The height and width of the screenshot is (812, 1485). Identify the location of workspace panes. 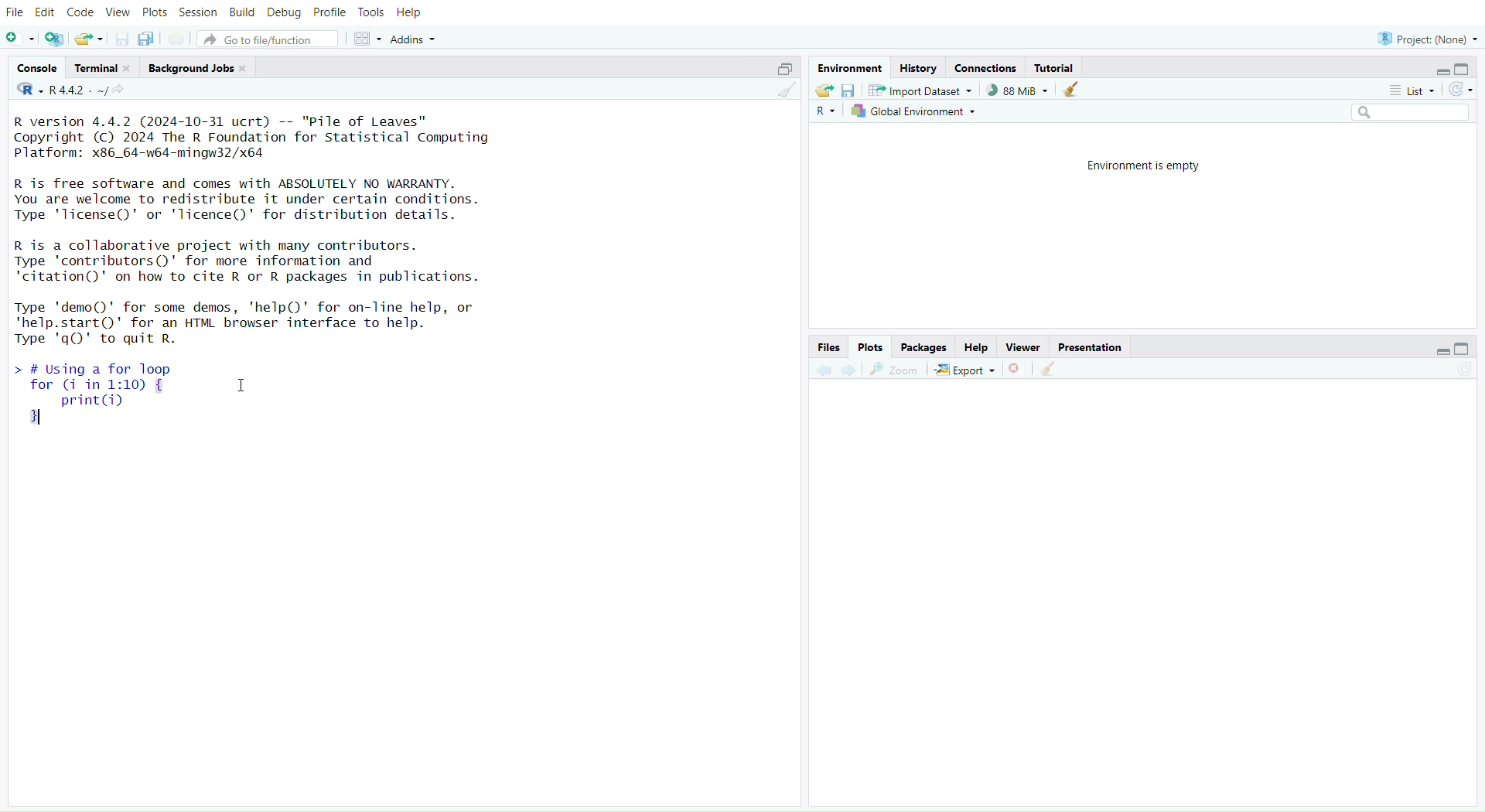
(367, 40).